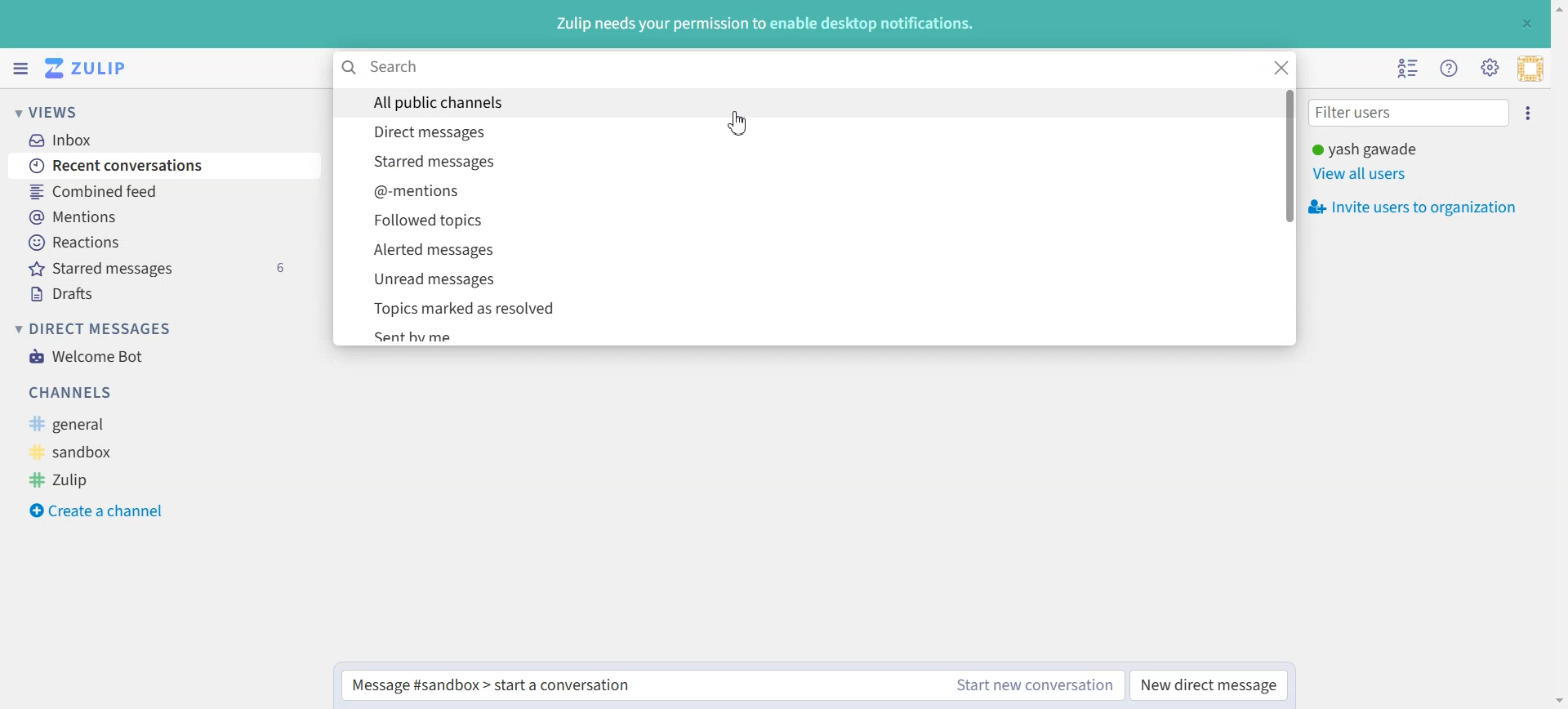  I want to click on Channels, so click(145, 393).